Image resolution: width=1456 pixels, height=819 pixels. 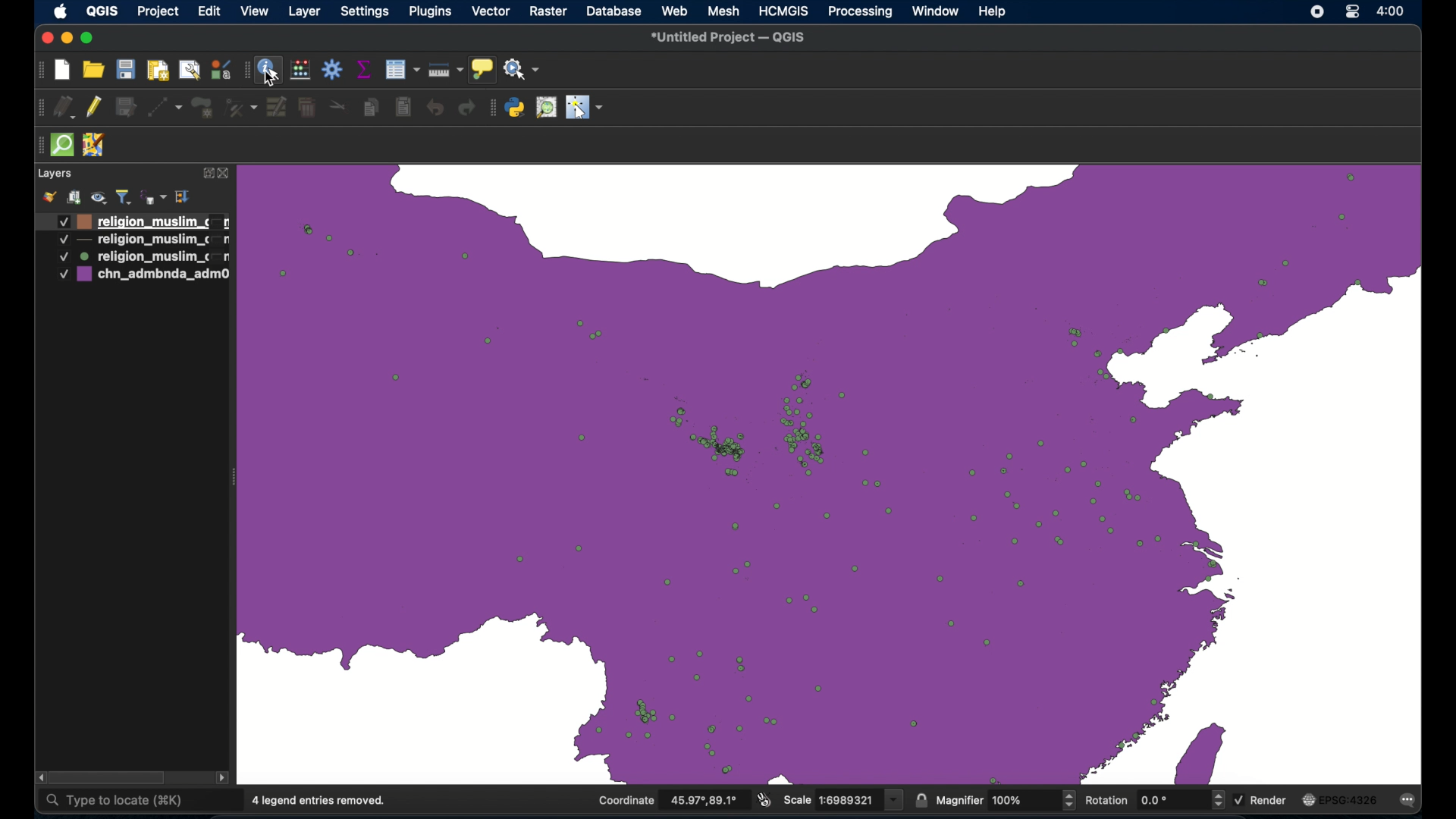 What do you see at coordinates (1352, 13) in the screenshot?
I see `control center` at bounding box center [1352, 13].